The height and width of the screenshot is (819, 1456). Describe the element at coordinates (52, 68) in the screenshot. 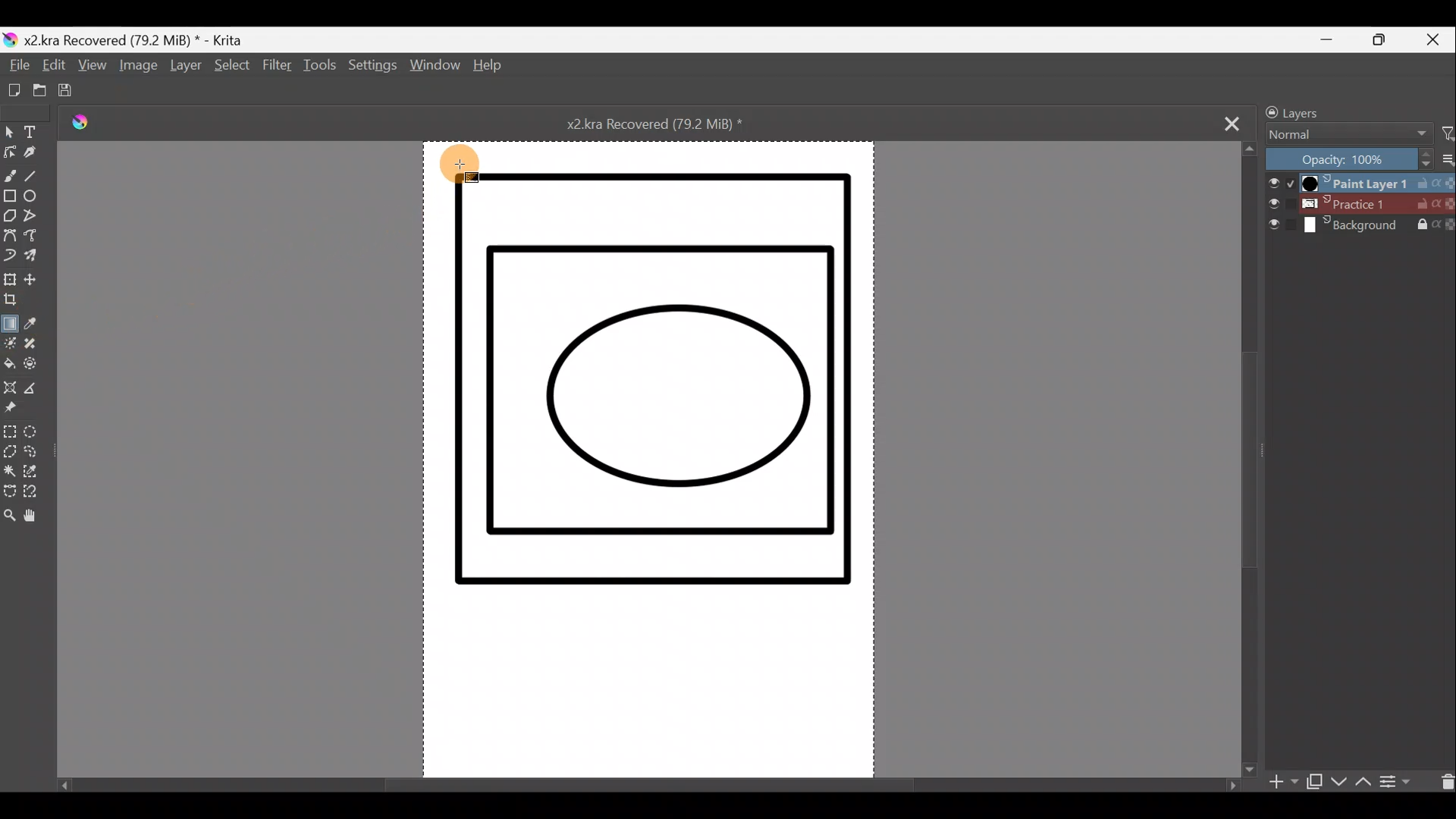

I see `Edit` at that location.